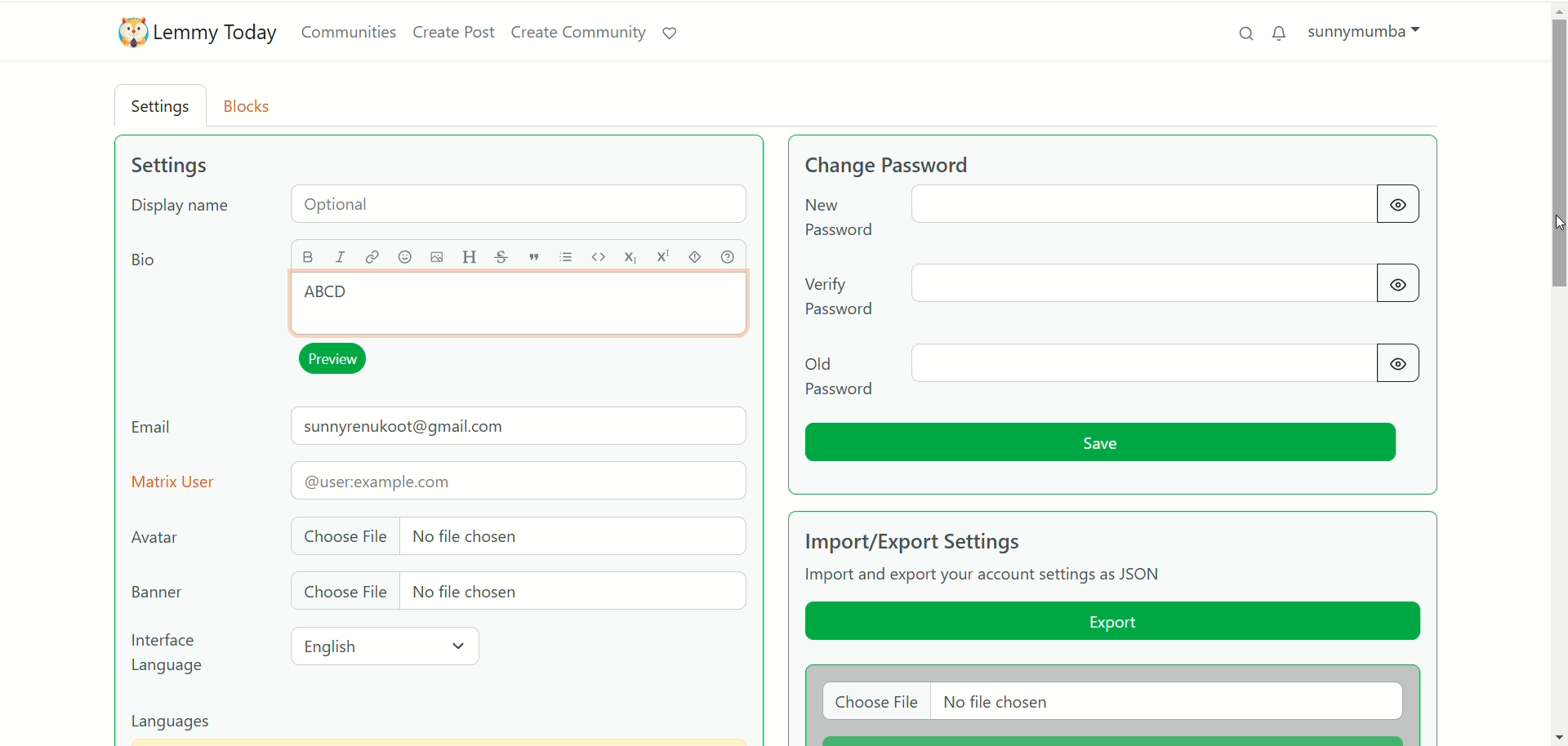 This screenshot has height=746, width=1568. What do you see at coordinates (439, 480) in the screenshot?
I see `matrix user` at bounding box center [439, 480].